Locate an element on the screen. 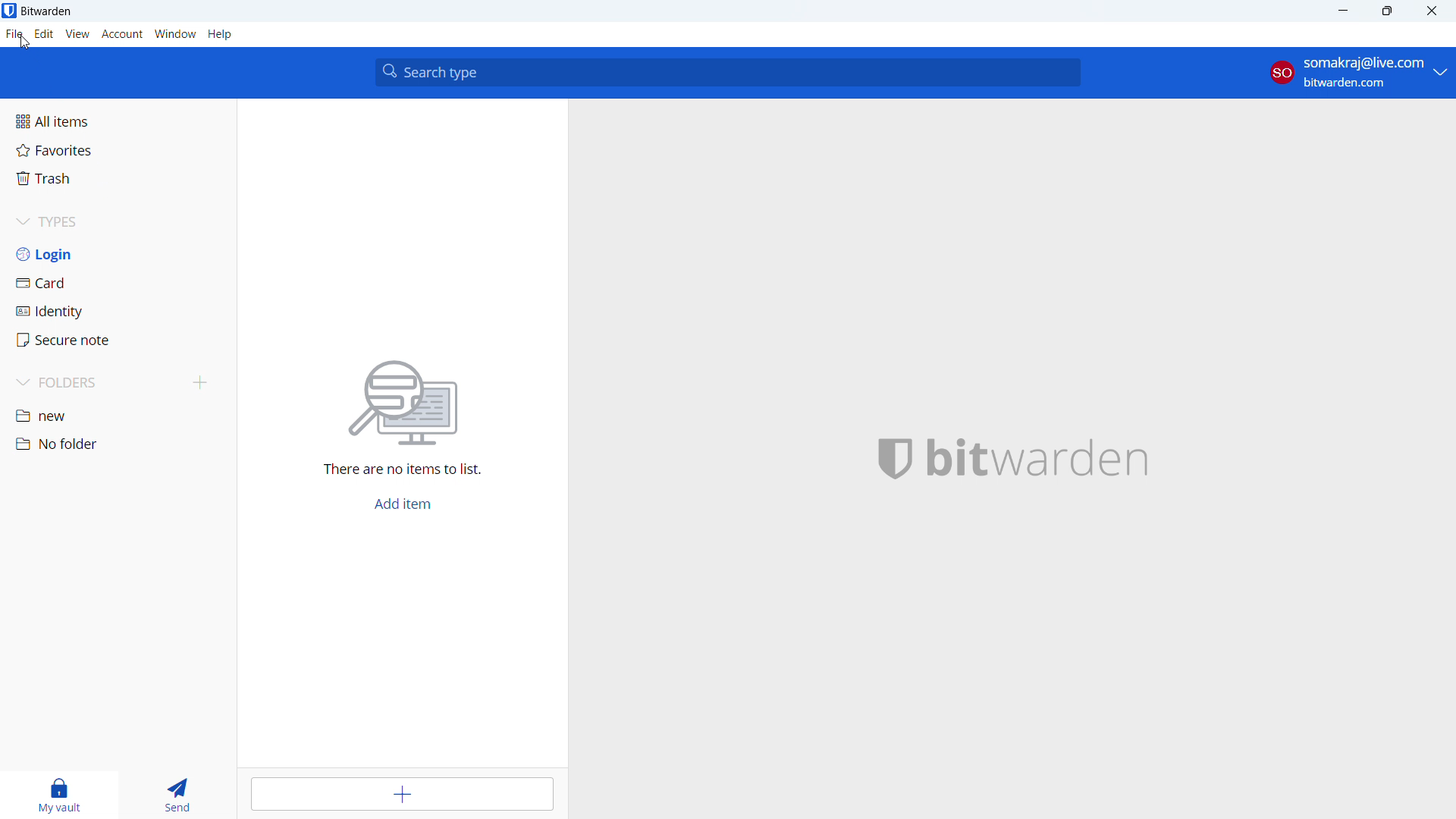 The height and width of the screenshot is (819, 1456). add folder is located at coordinates (202, 382).